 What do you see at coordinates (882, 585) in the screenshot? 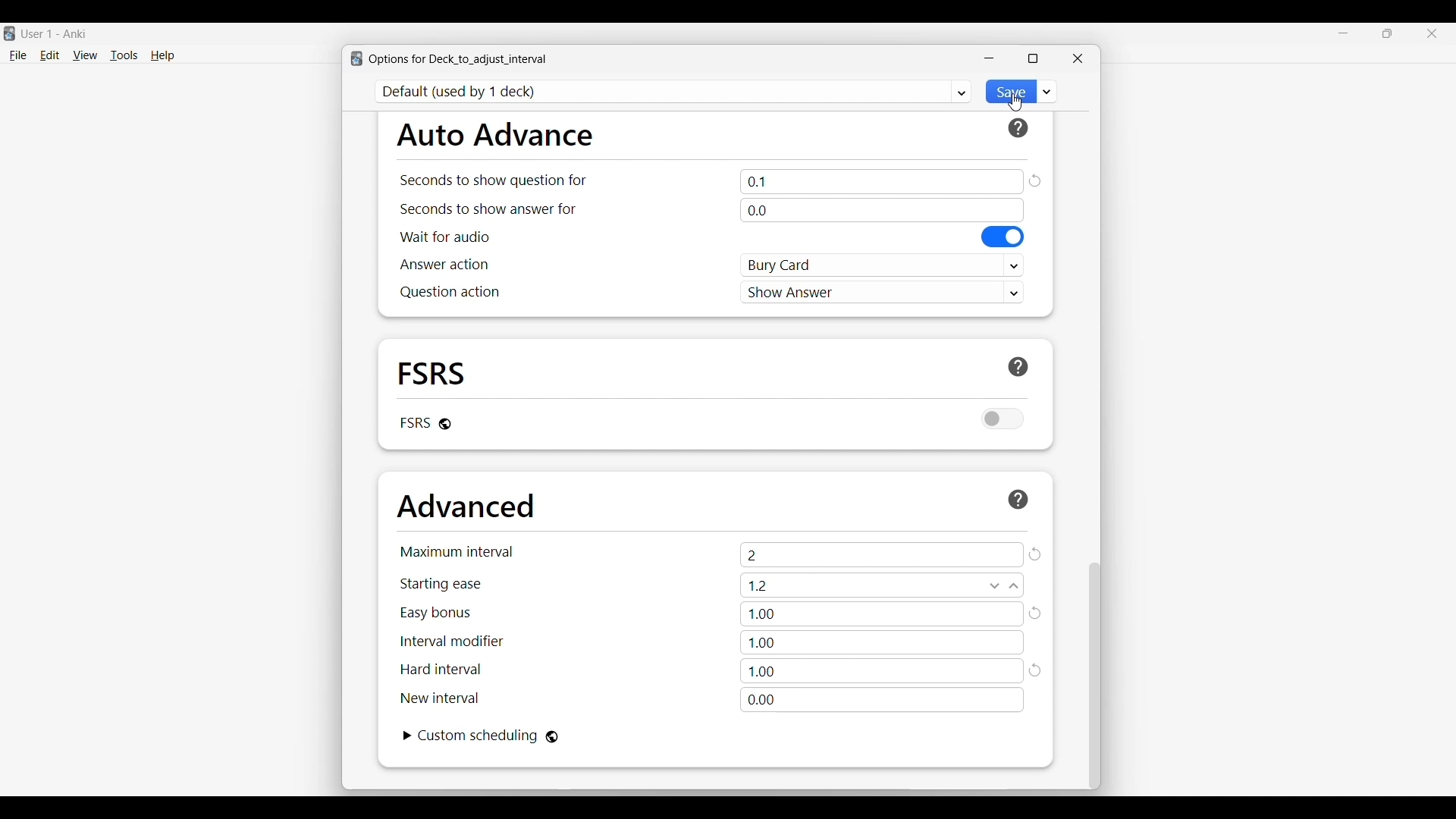
I see `1.2` at bounding box center [882, 585].